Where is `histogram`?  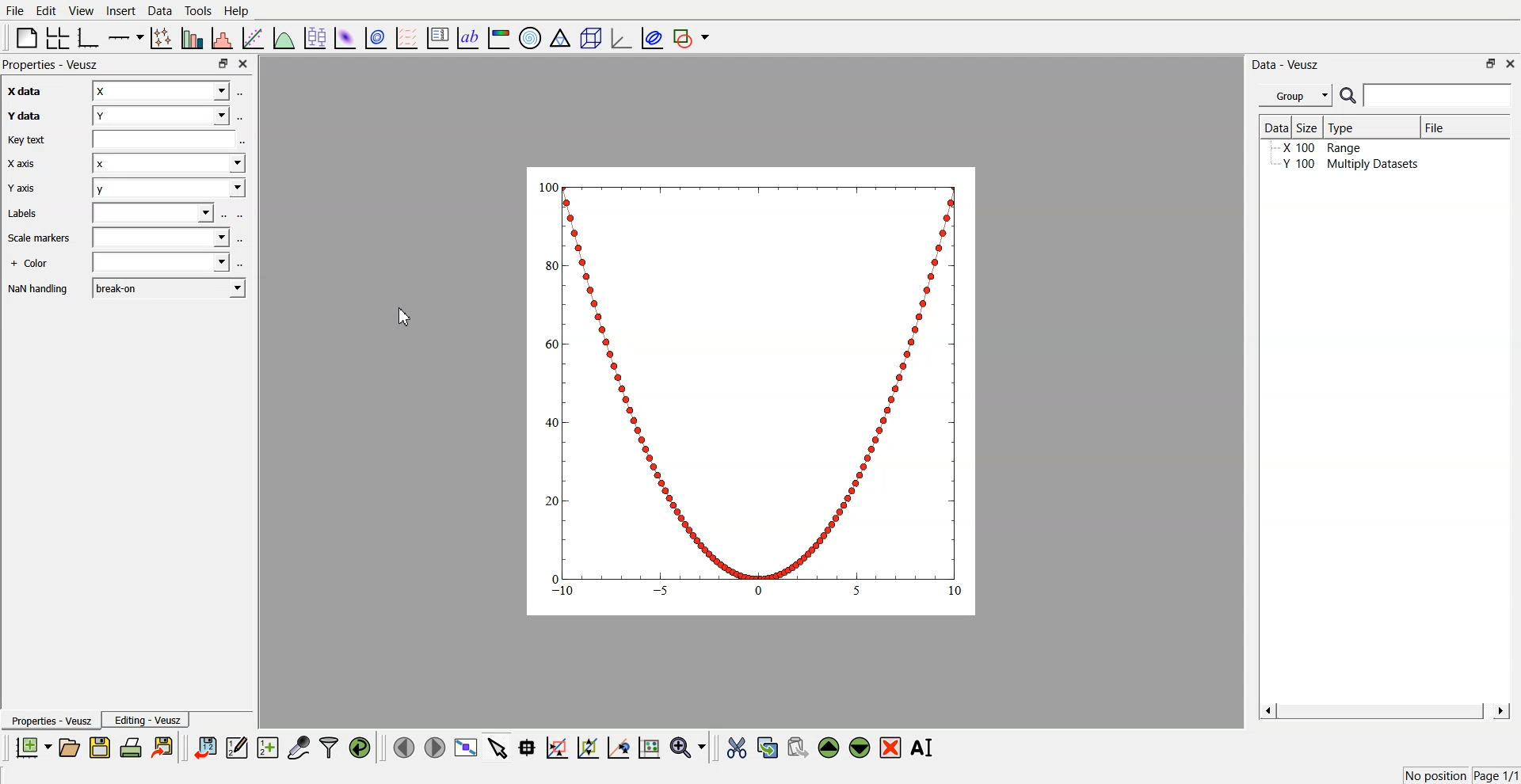 histogram is located at coordinates (225, 37).